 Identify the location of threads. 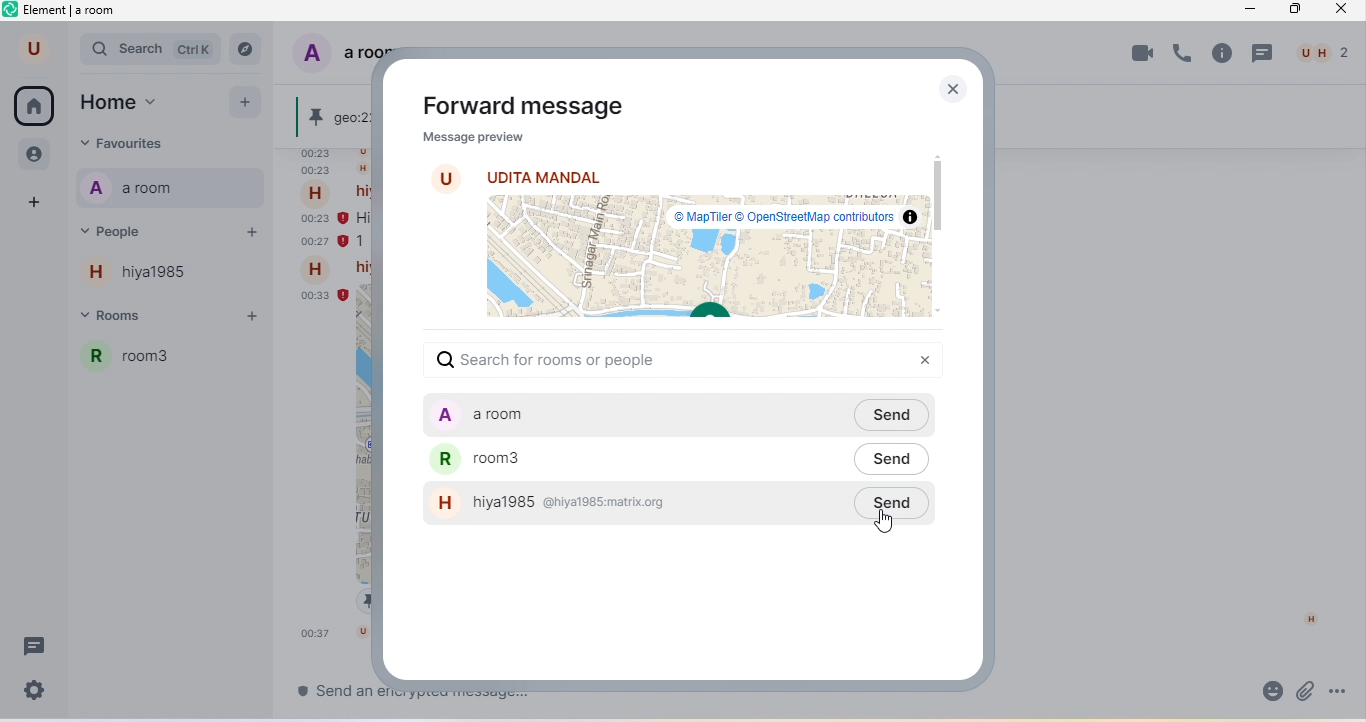
(1265, 54).